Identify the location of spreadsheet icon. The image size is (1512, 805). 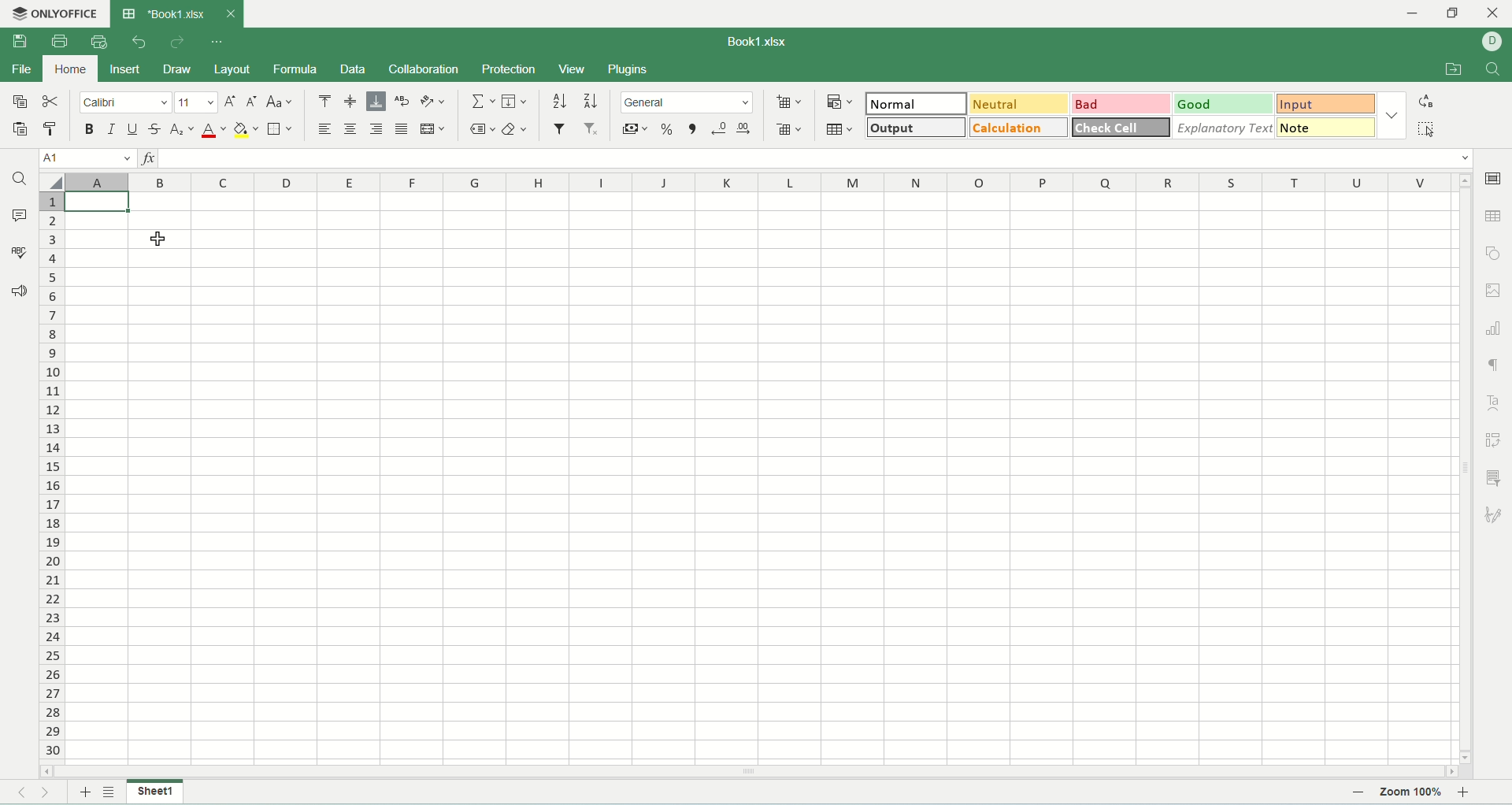
(128, 14).